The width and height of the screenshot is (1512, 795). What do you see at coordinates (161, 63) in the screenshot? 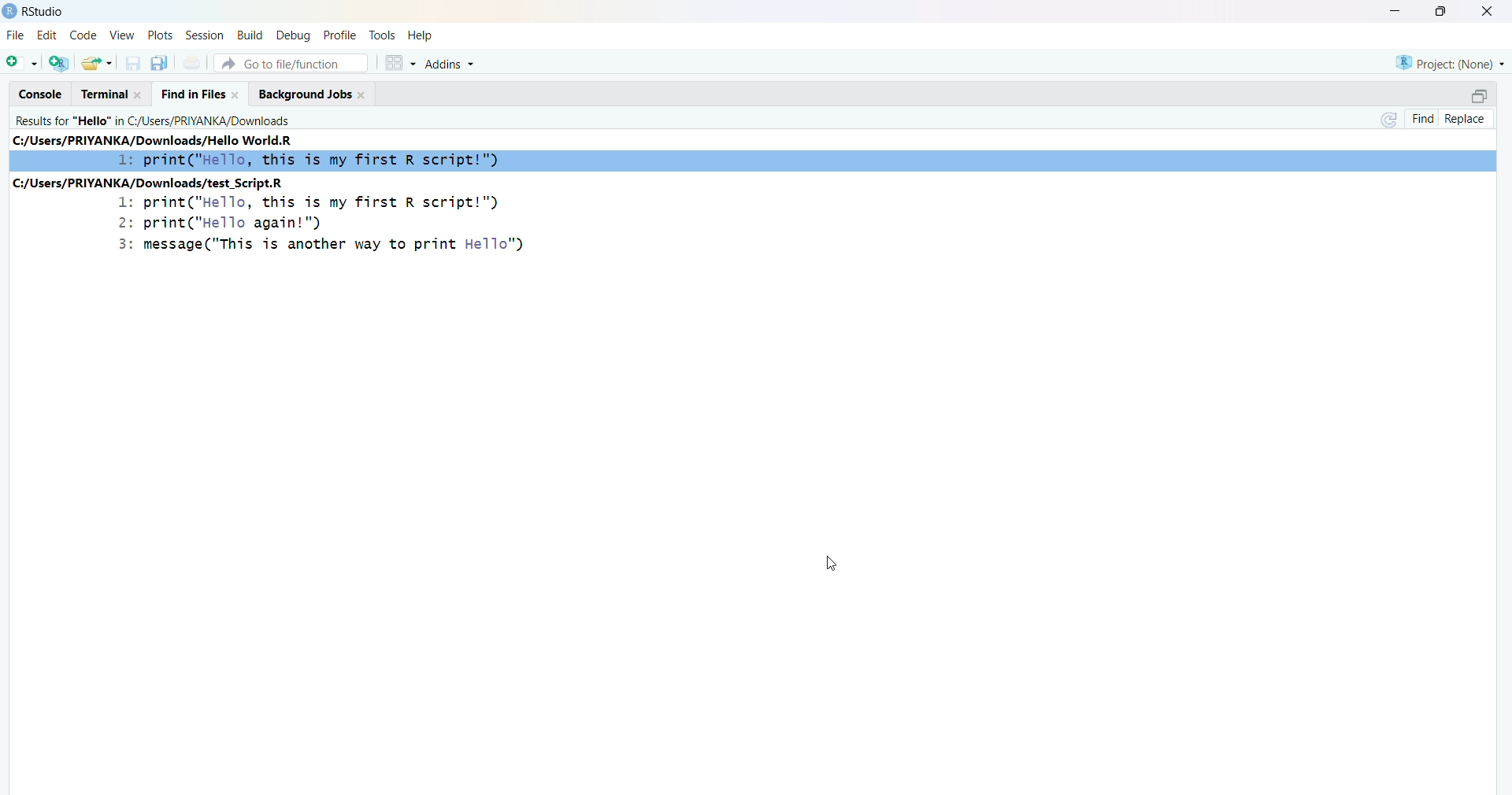
I see `duplicate` at bounding box center [161, 63].